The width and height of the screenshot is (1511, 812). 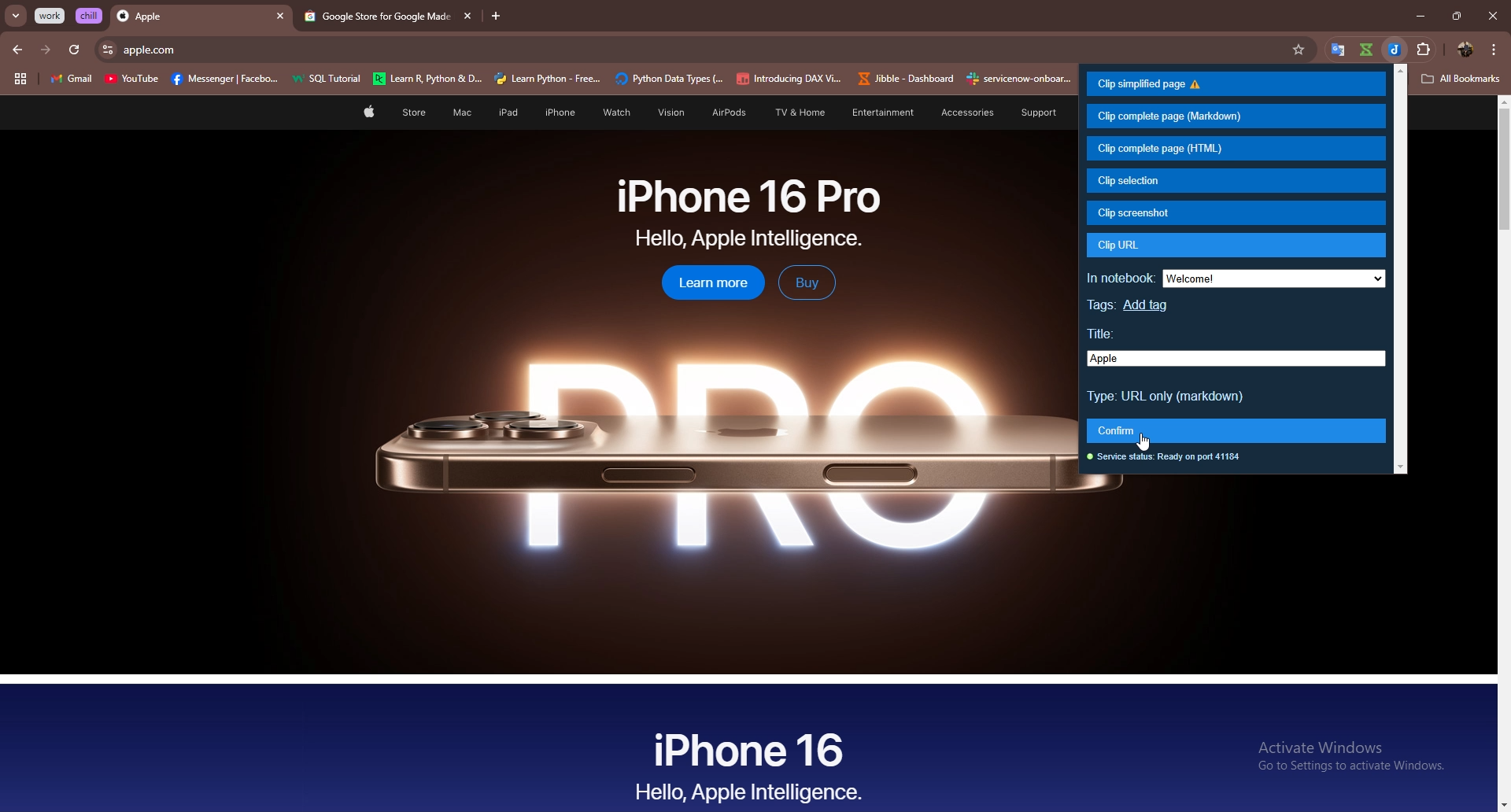 What do you see at coordinates (1020, 79) in the screenshot?
I see `he
<£ senvicenow-onboar...` at bounding box center [1020, 79].